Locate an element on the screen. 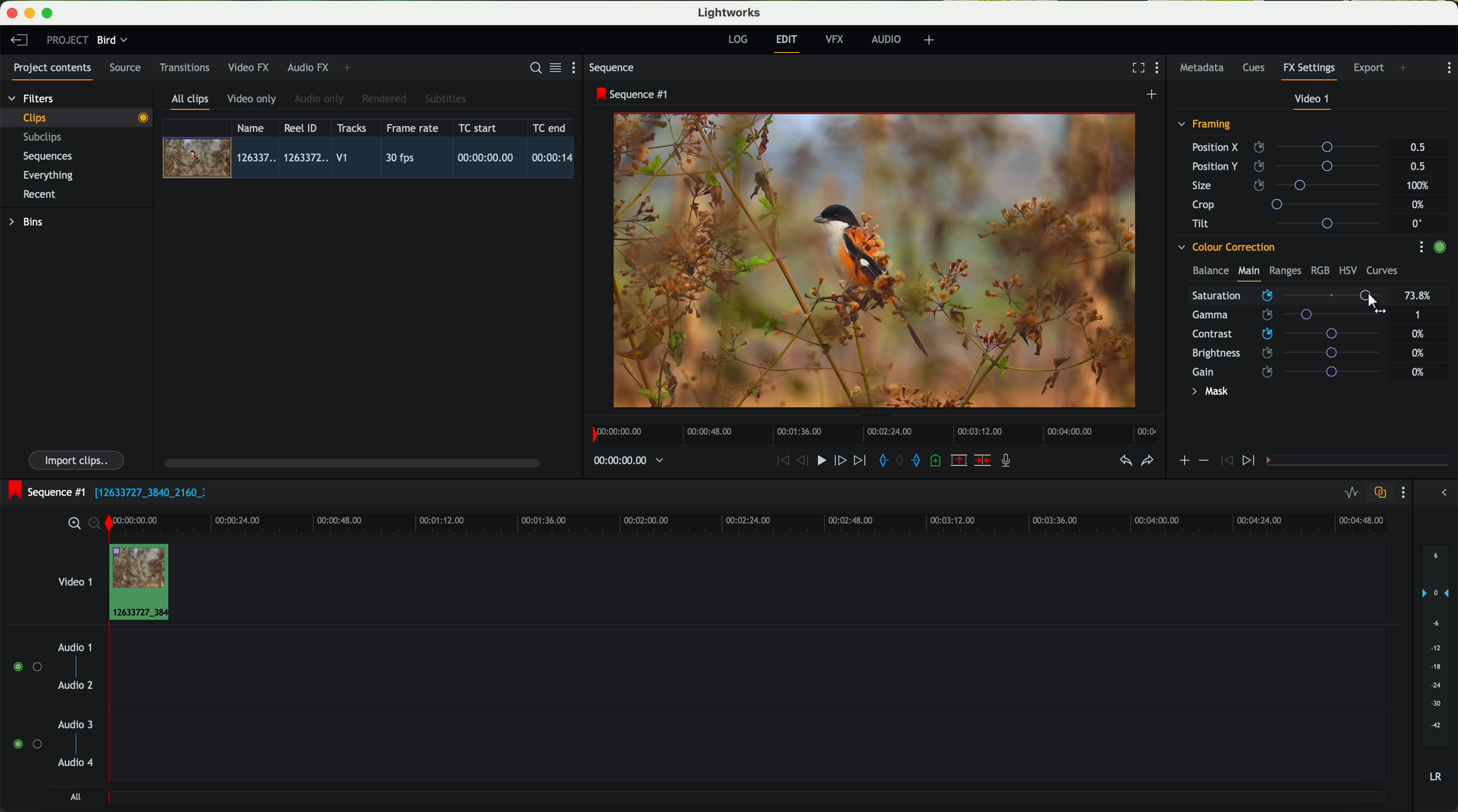 This screenshot has width=1458, height=812. clear marks is located at coordinates (900, 461).